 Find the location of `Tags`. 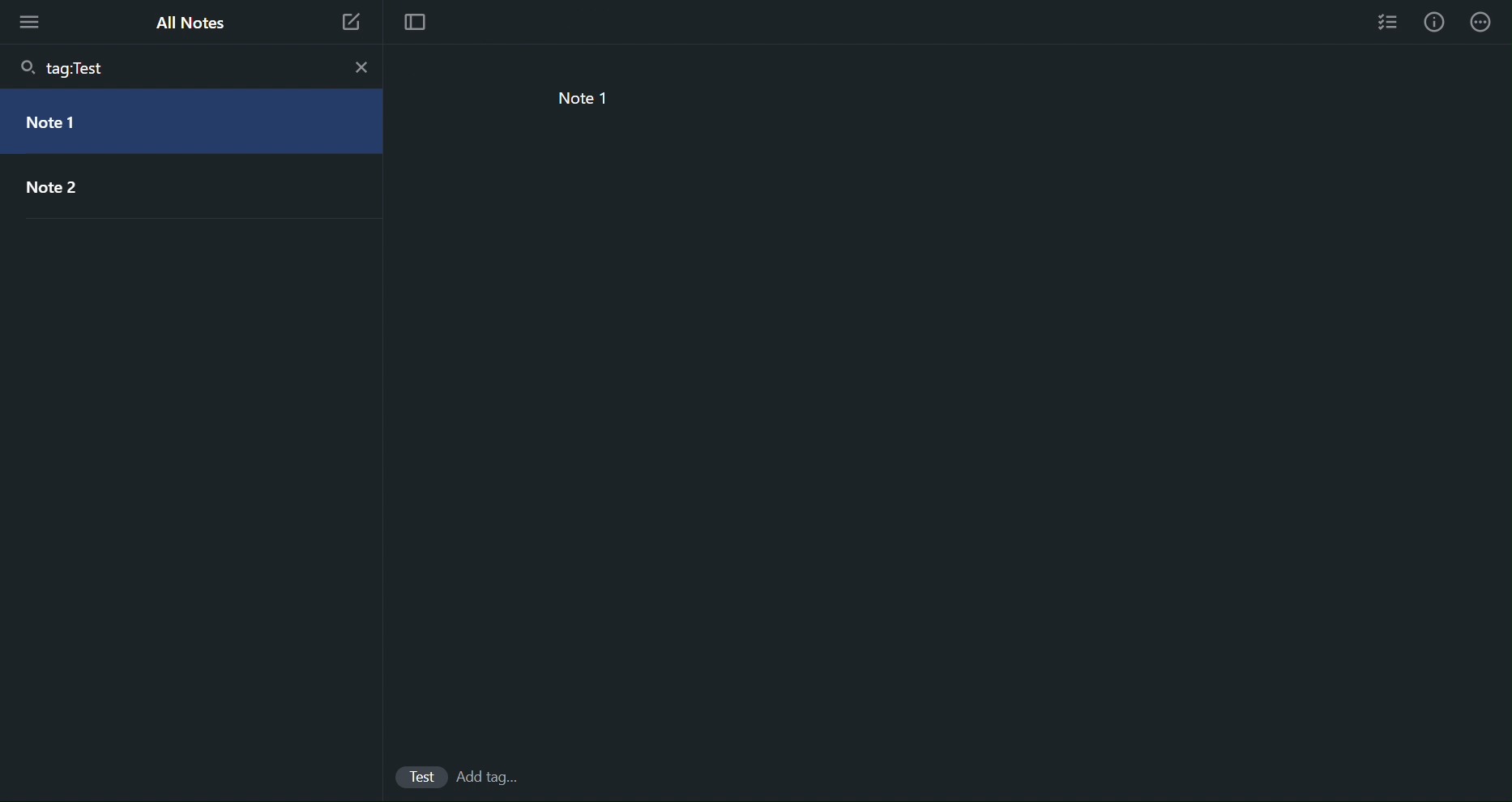

Tags is located at coordinates (493, 779).